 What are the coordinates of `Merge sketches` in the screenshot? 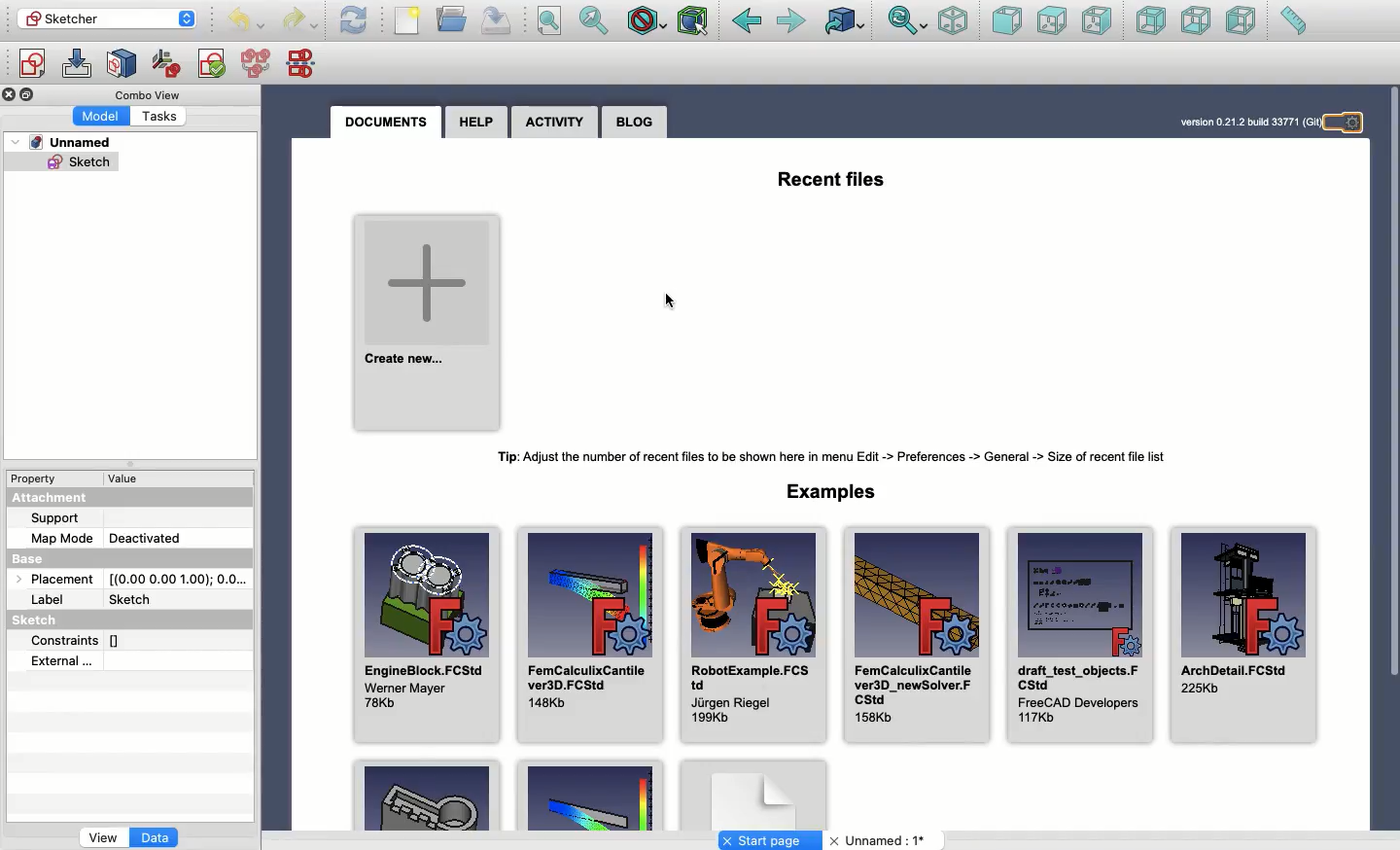 It's located at (257, 64).